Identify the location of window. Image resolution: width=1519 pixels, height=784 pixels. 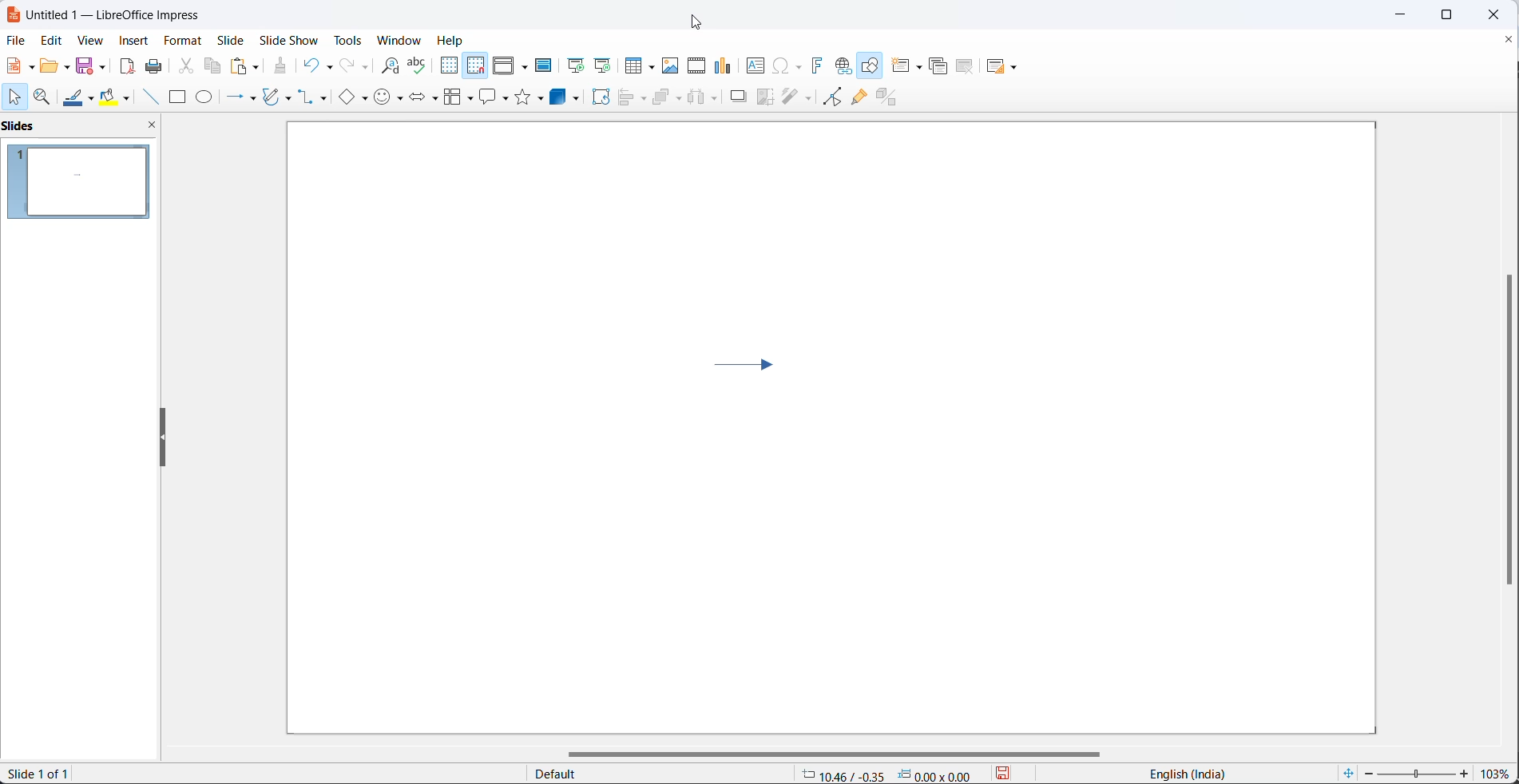
(399, 42).